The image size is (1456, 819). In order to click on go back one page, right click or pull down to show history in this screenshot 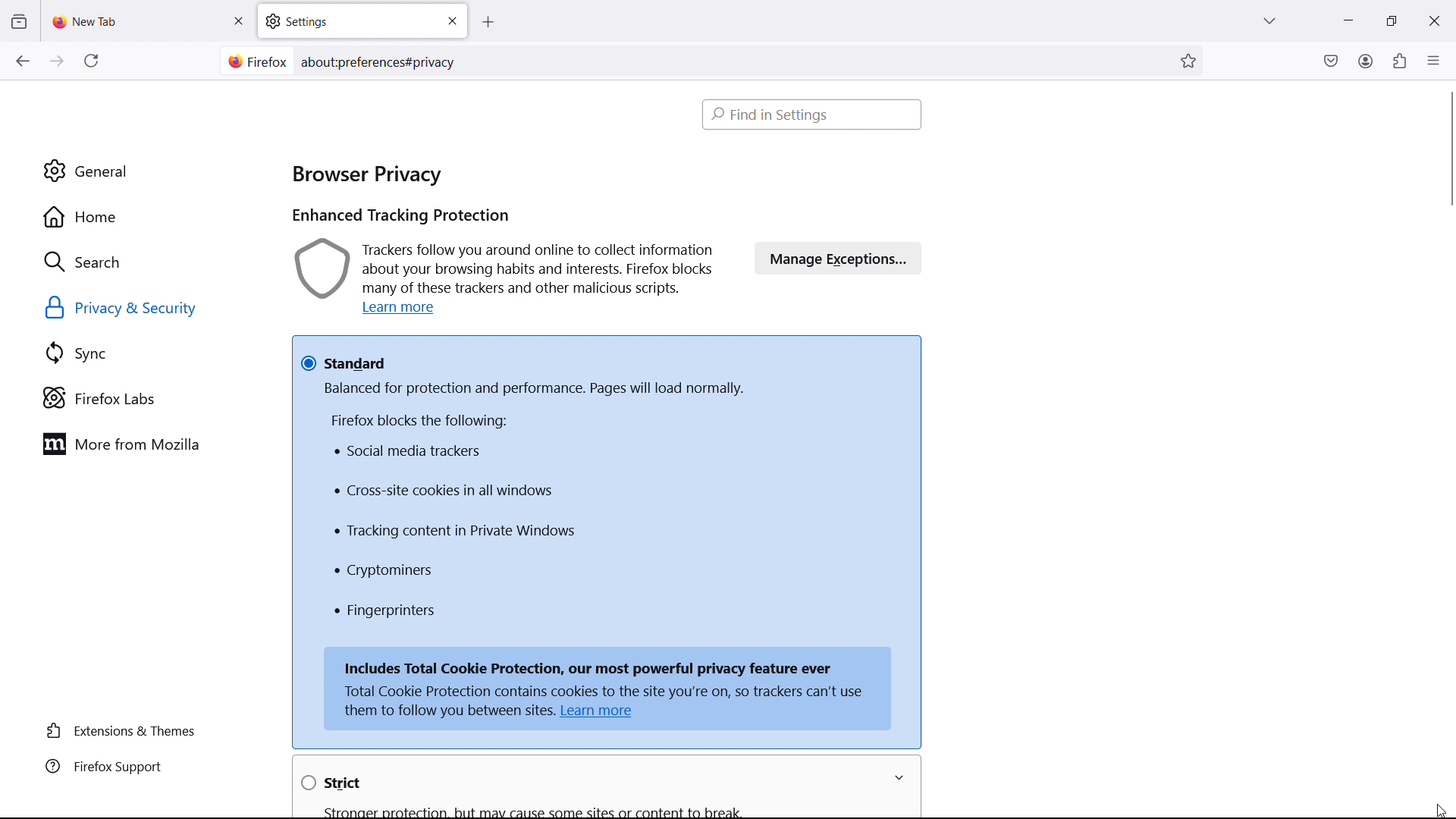, I will do `click(22, 61)`.